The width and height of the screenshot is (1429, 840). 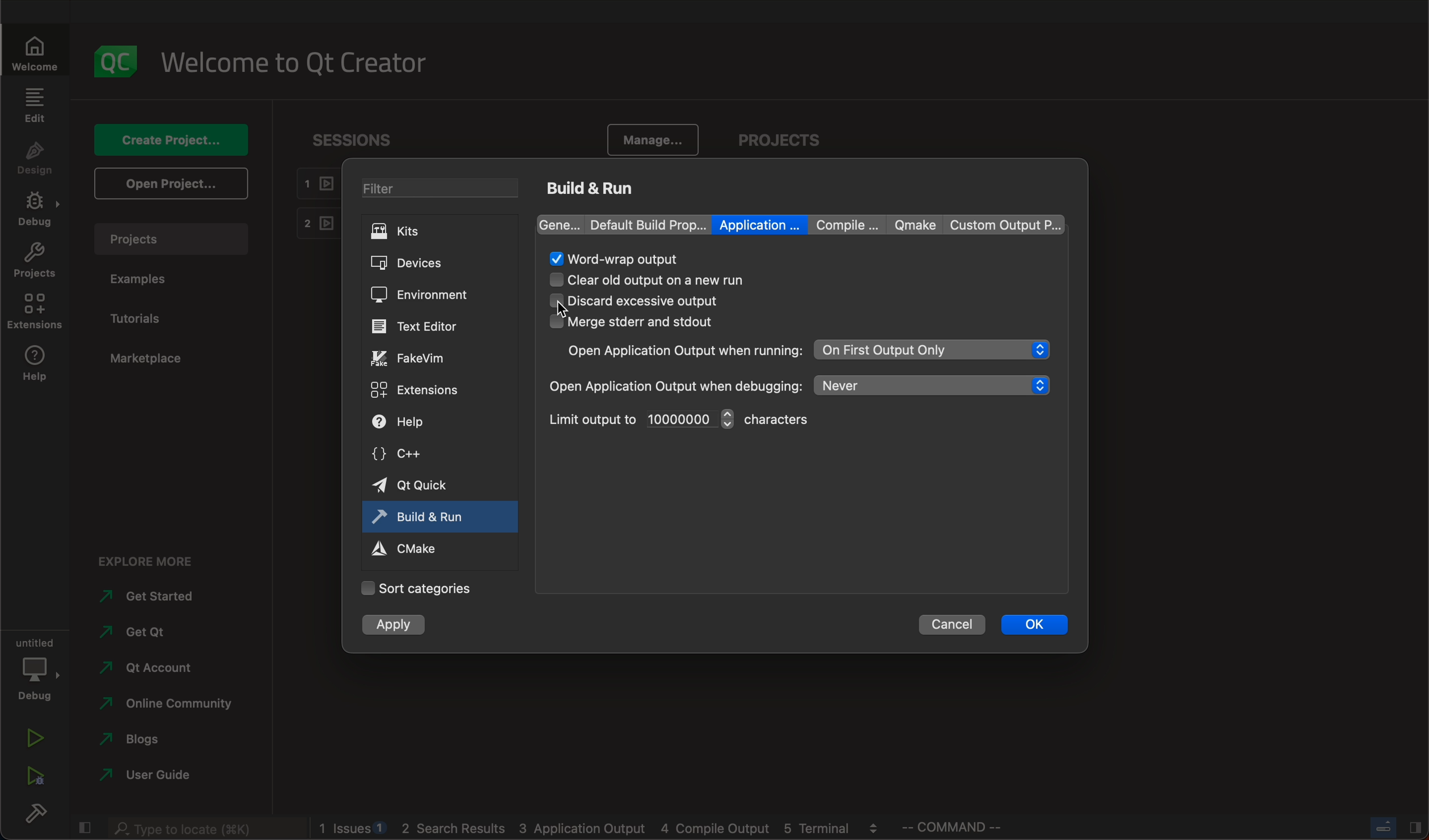 I want to click on default, so click(x=649, y=223).